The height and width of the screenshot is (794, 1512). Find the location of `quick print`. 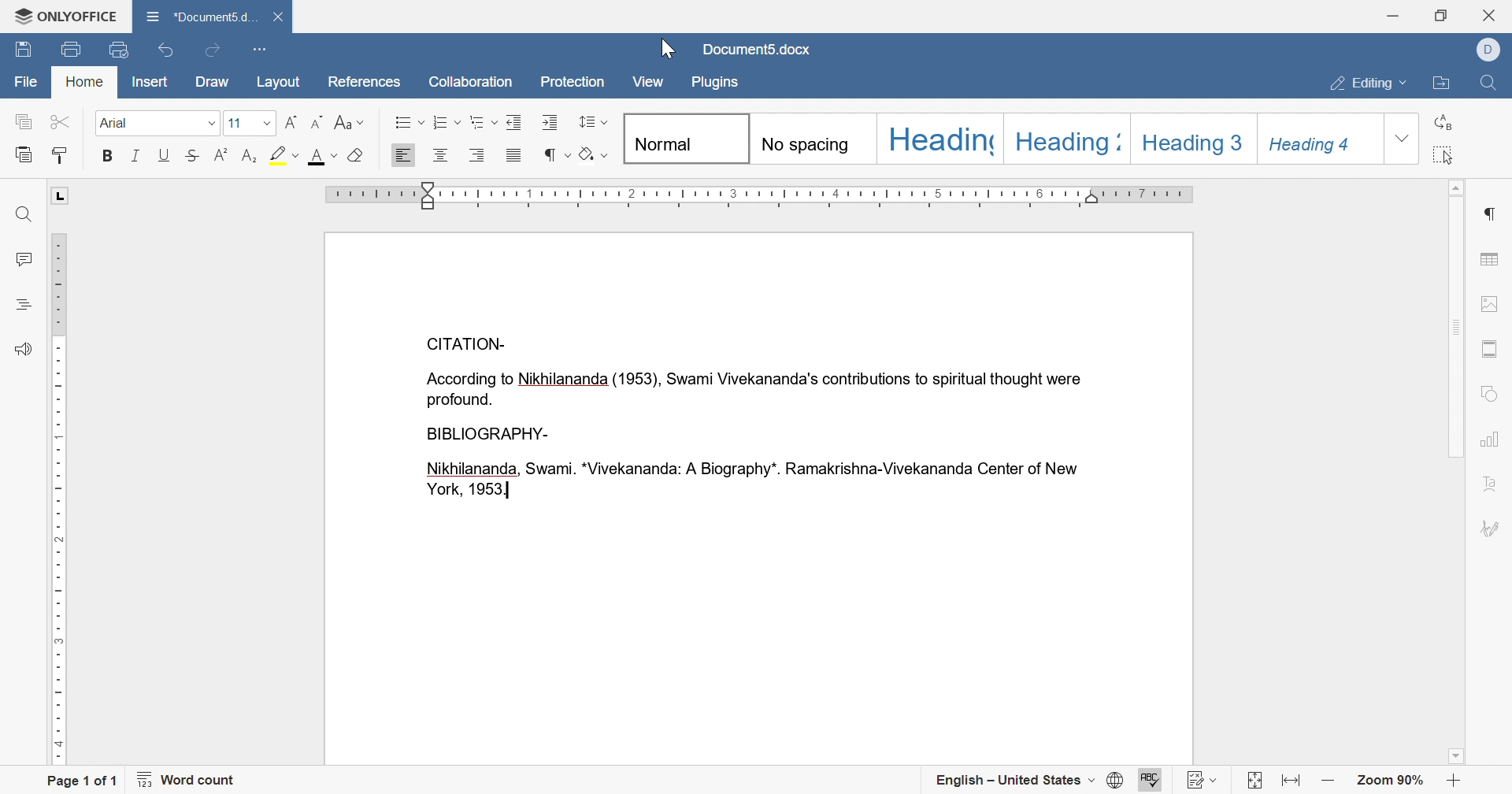

quick print is located at coordinates (116, 50).